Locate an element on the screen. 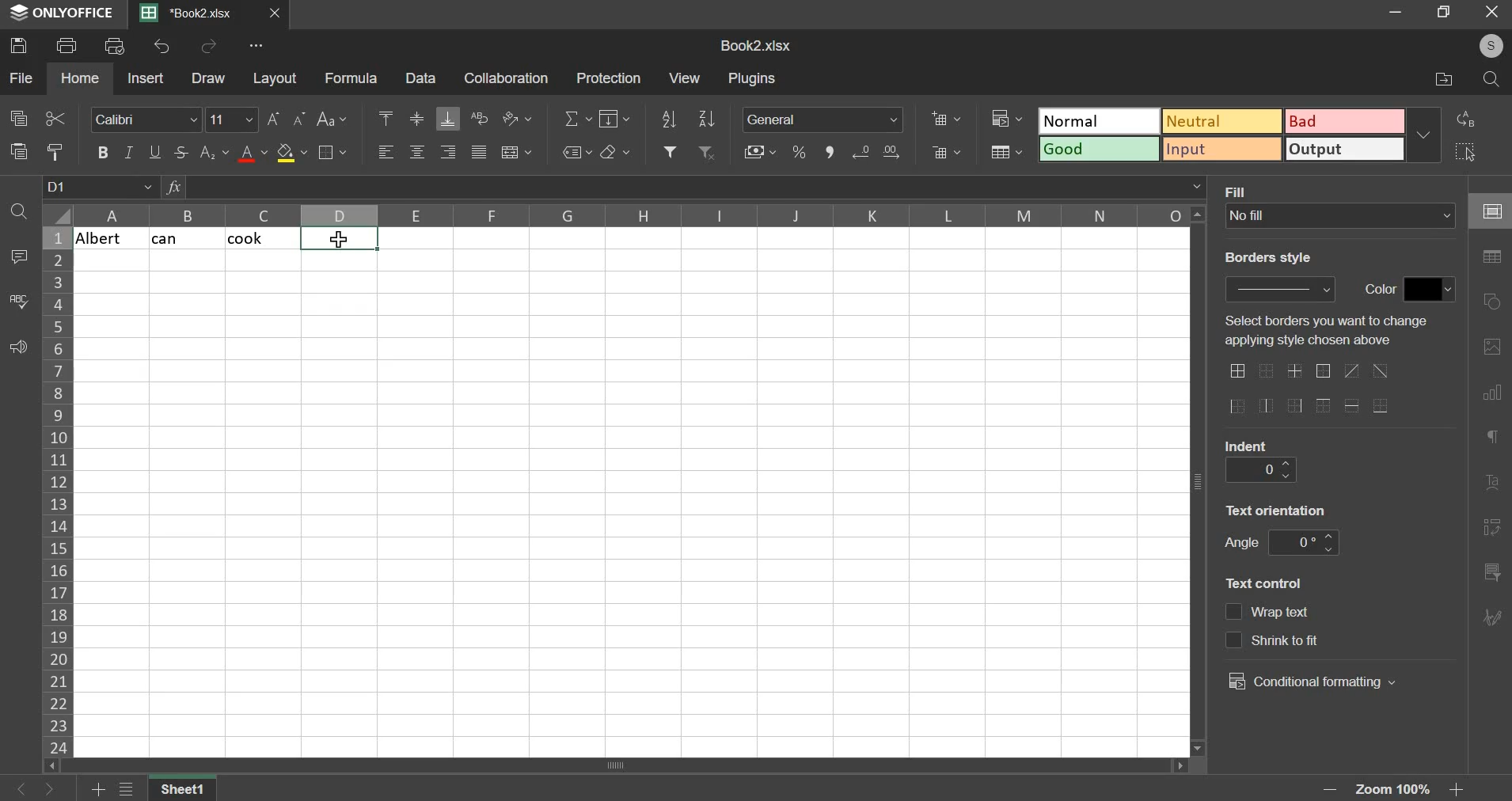 The image size is (1512, 801). comma style is located at coordinates (833, 152).